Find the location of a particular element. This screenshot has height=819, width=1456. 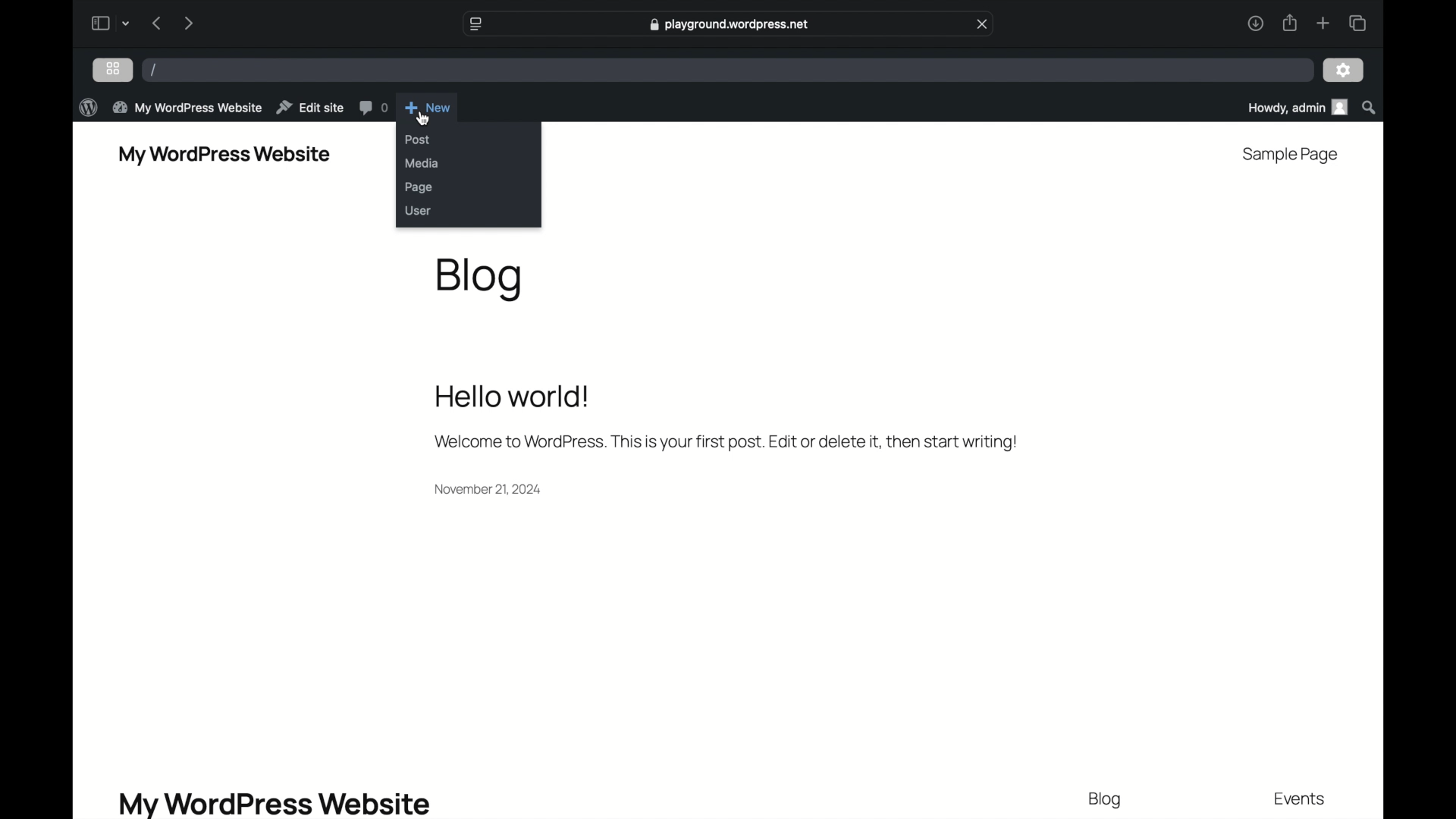

user is located at coordinates (418, 210).